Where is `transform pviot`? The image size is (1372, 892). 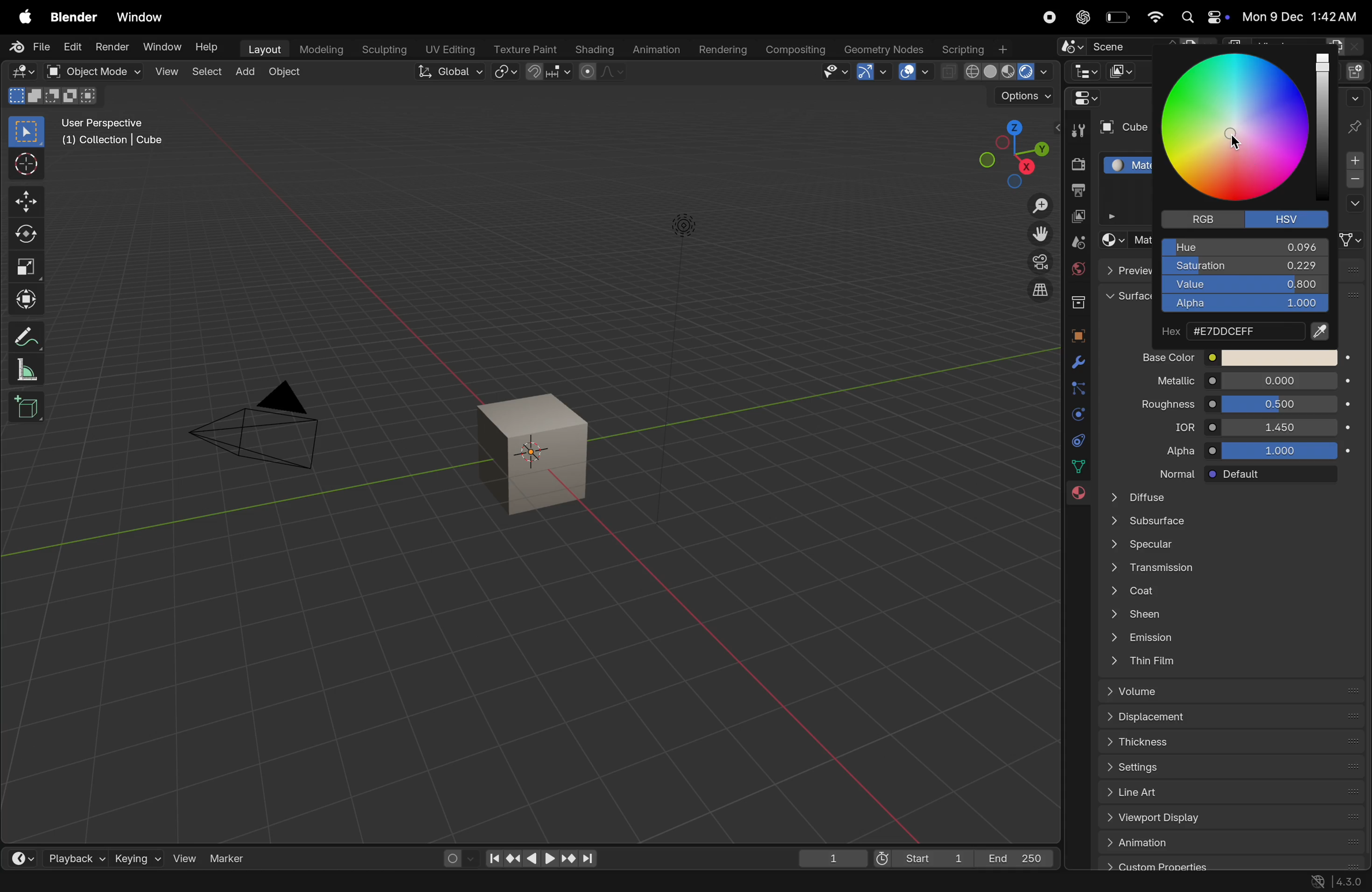 transform pviot is located at coordinates (506, 72).